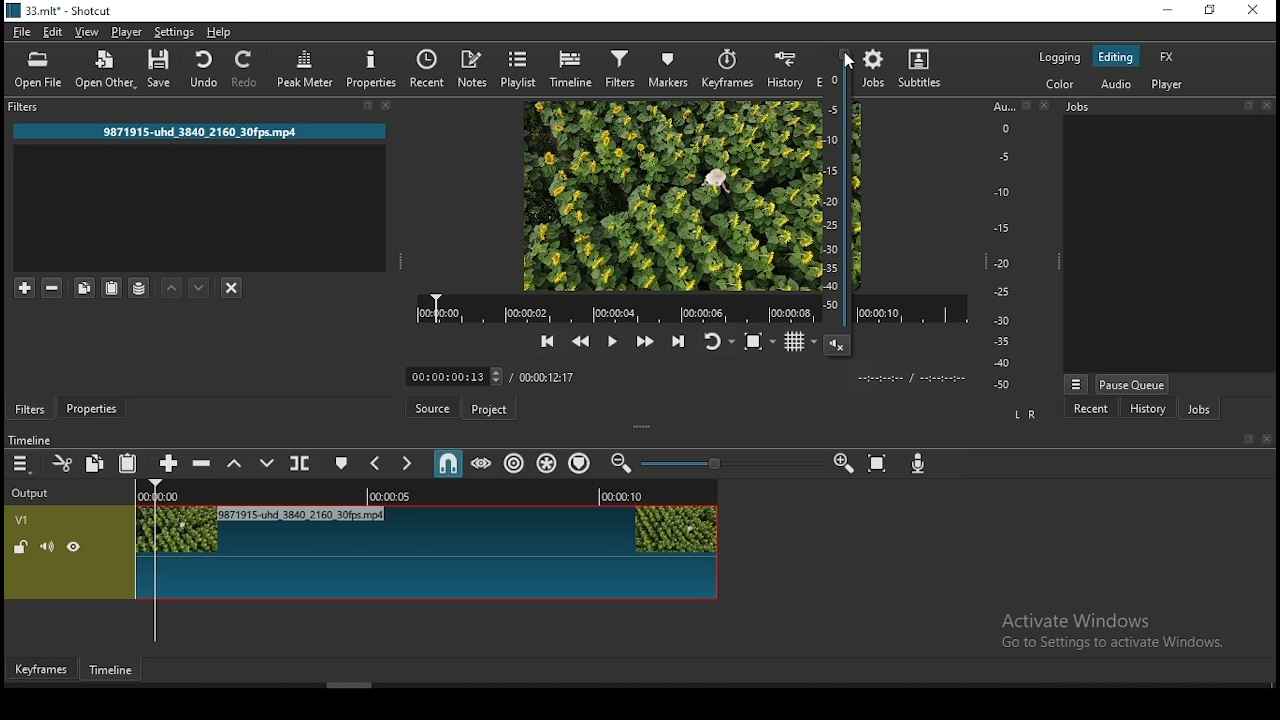 The image size is (1280, 720). Describe the element at coordinates (1003, 247) in the screenshot. I see `scale` at that location.